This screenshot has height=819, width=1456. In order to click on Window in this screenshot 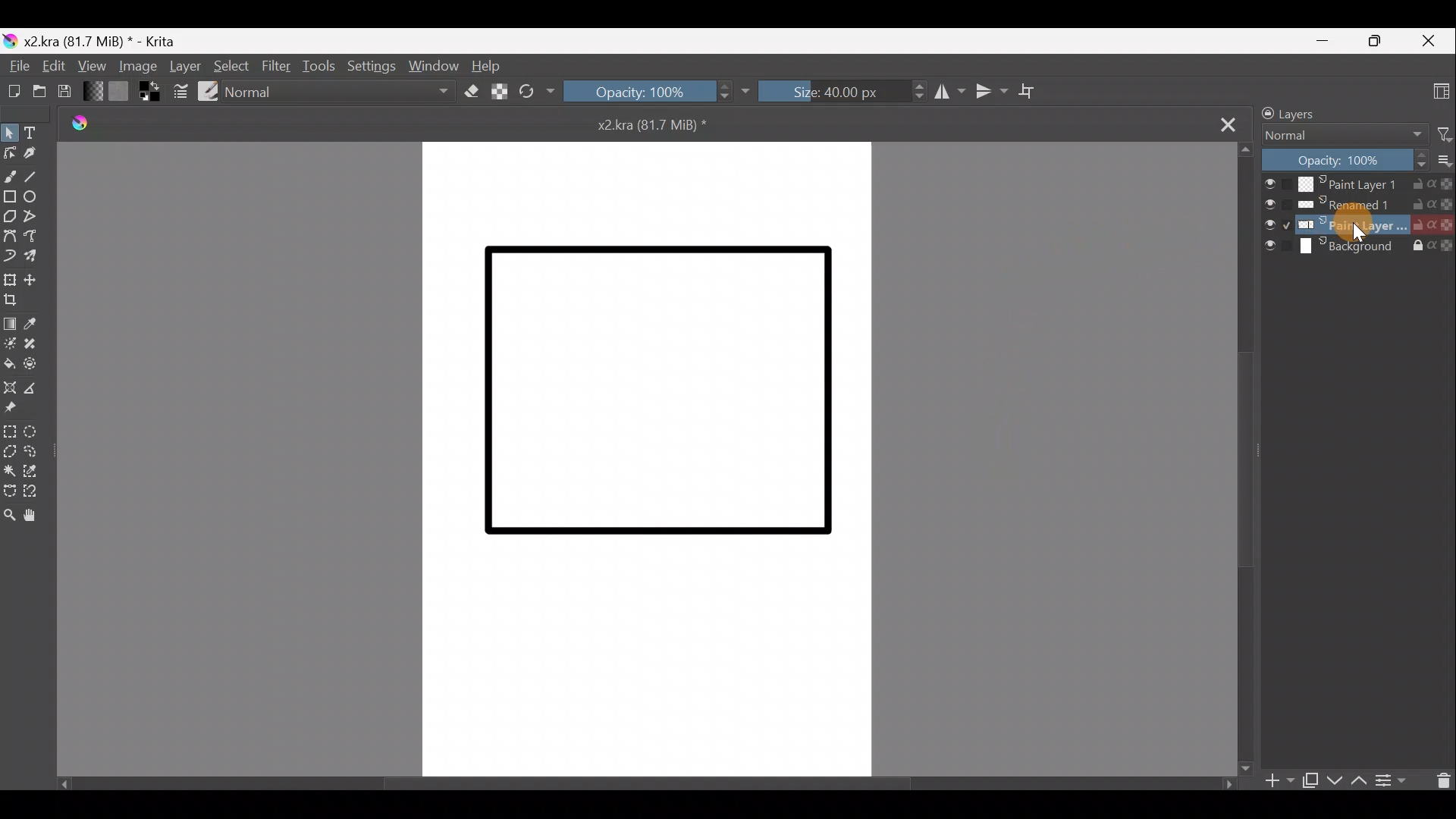, I will do `click(434, 67)`.